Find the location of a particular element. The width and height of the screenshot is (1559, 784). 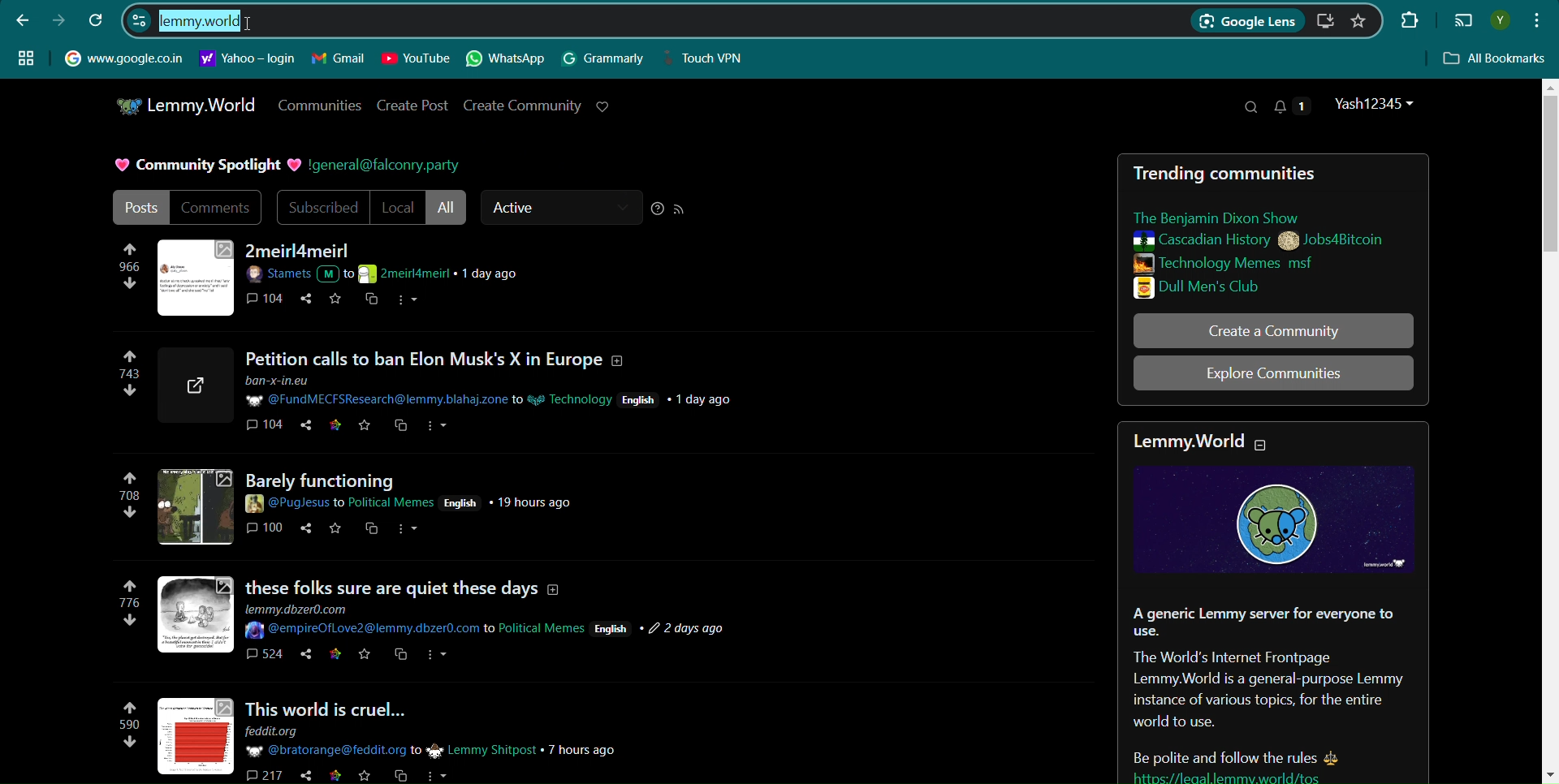

 Cascadian History Jobs4Bitcoin is located at coordinates (1257, 241).